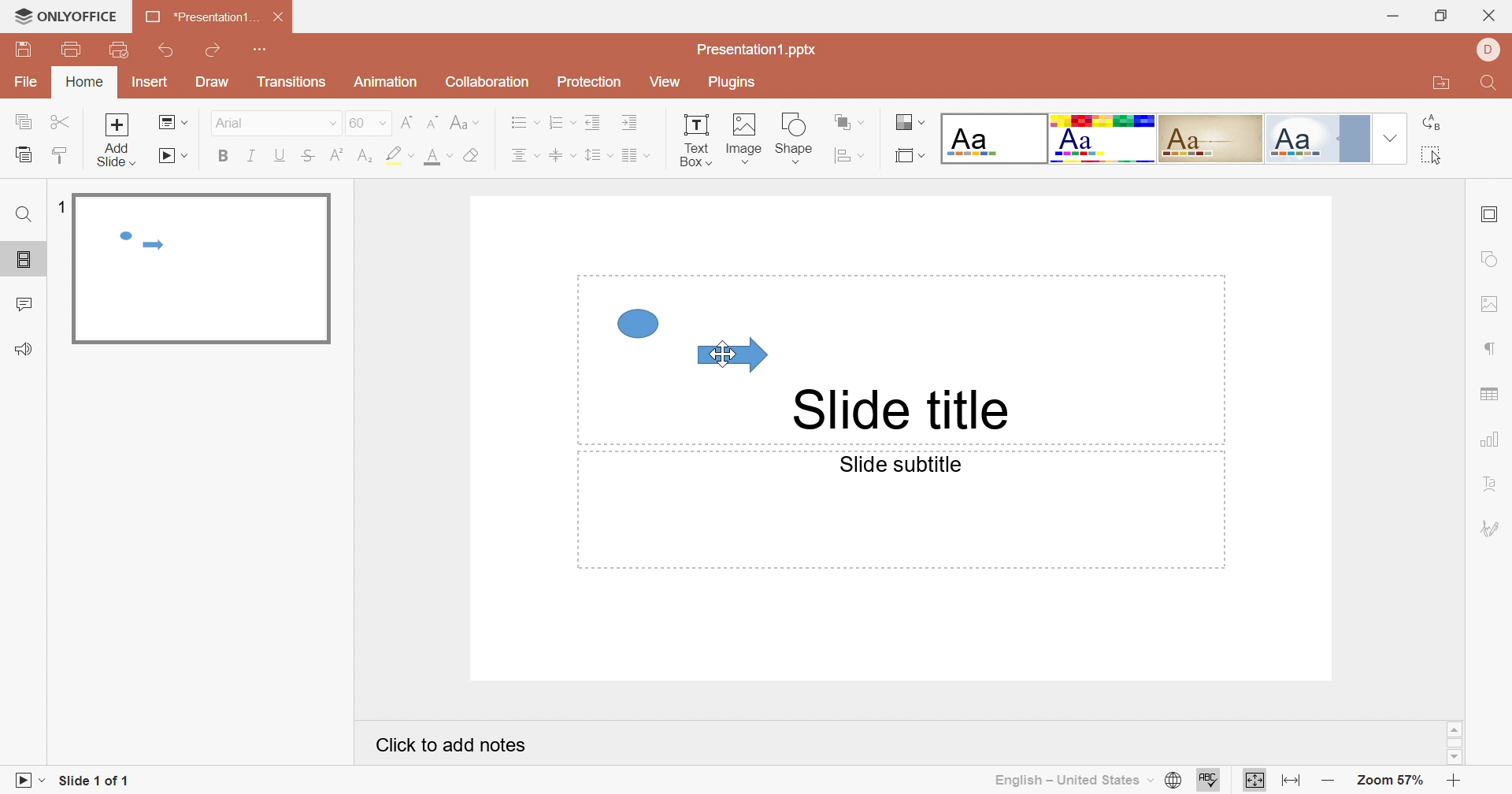  What do you see at coordinates (724, 357) in the screenshot?
I see `Cursor` at bounding box center [724, 357].